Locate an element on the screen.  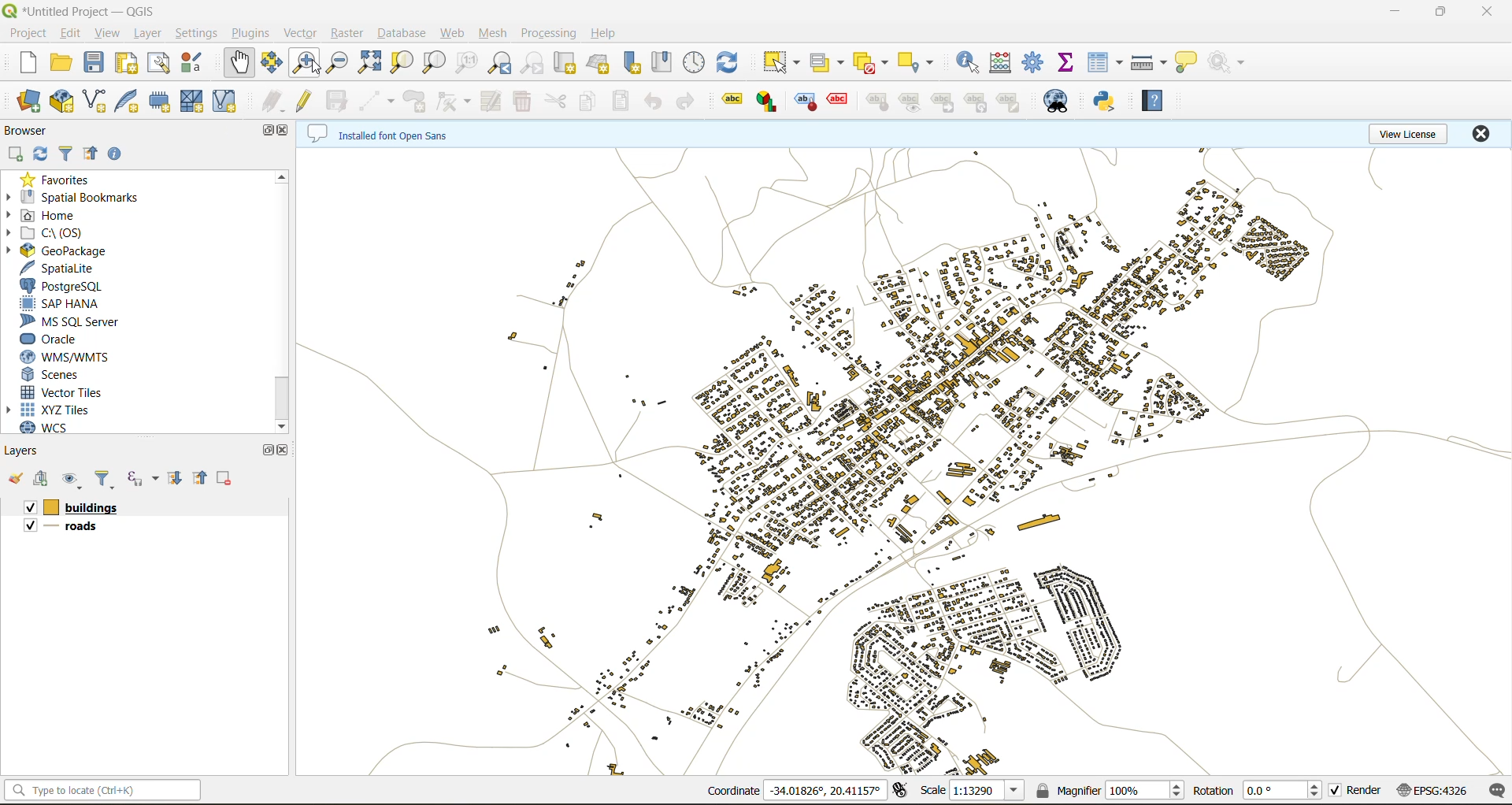
metadata is located at coordinates (380, 132).